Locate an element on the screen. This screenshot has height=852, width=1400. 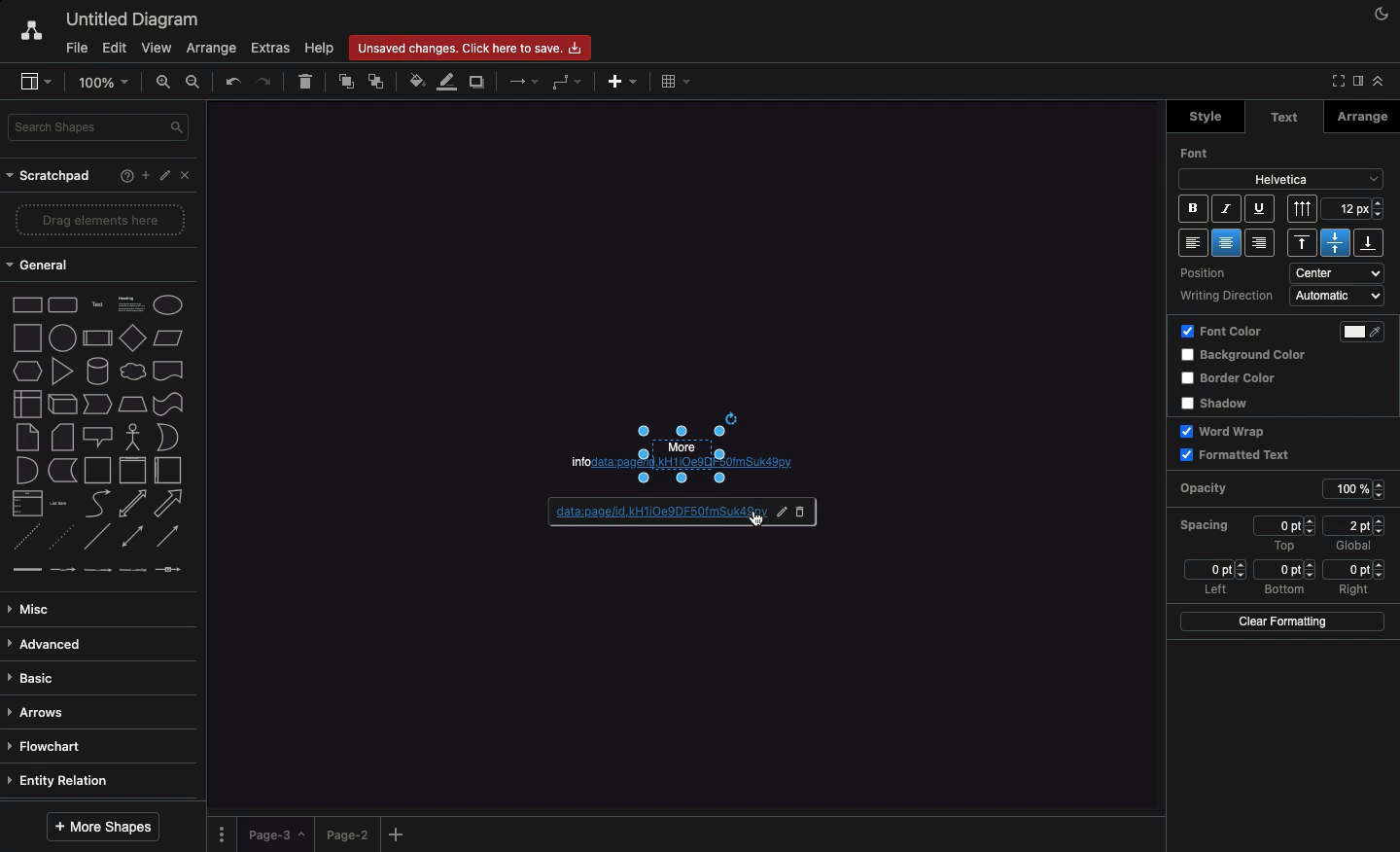
hexagon is located at coordinates (28, 372).